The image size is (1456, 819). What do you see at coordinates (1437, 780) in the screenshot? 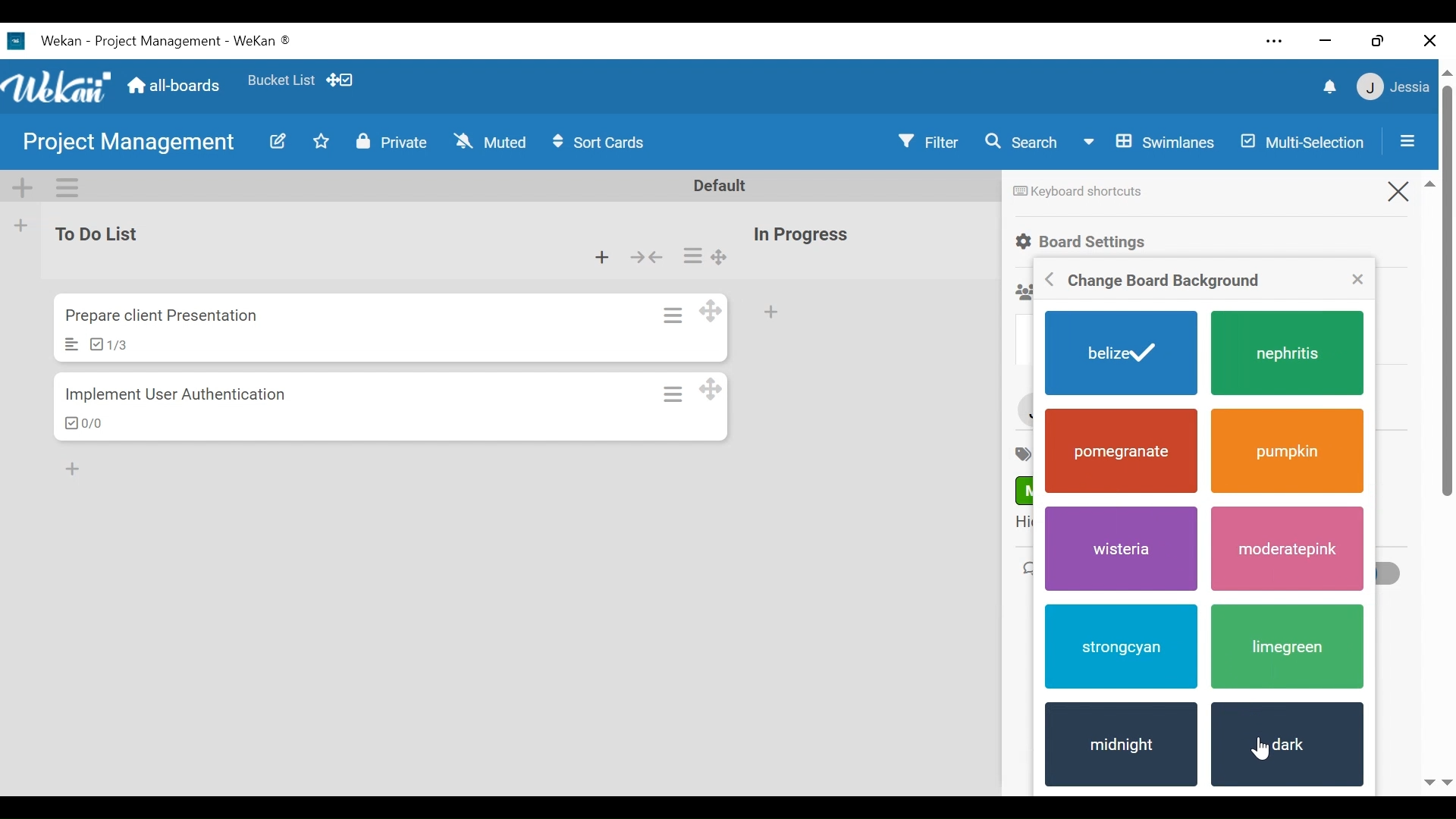
I see `navigation` at bounding box center [1437, 780].